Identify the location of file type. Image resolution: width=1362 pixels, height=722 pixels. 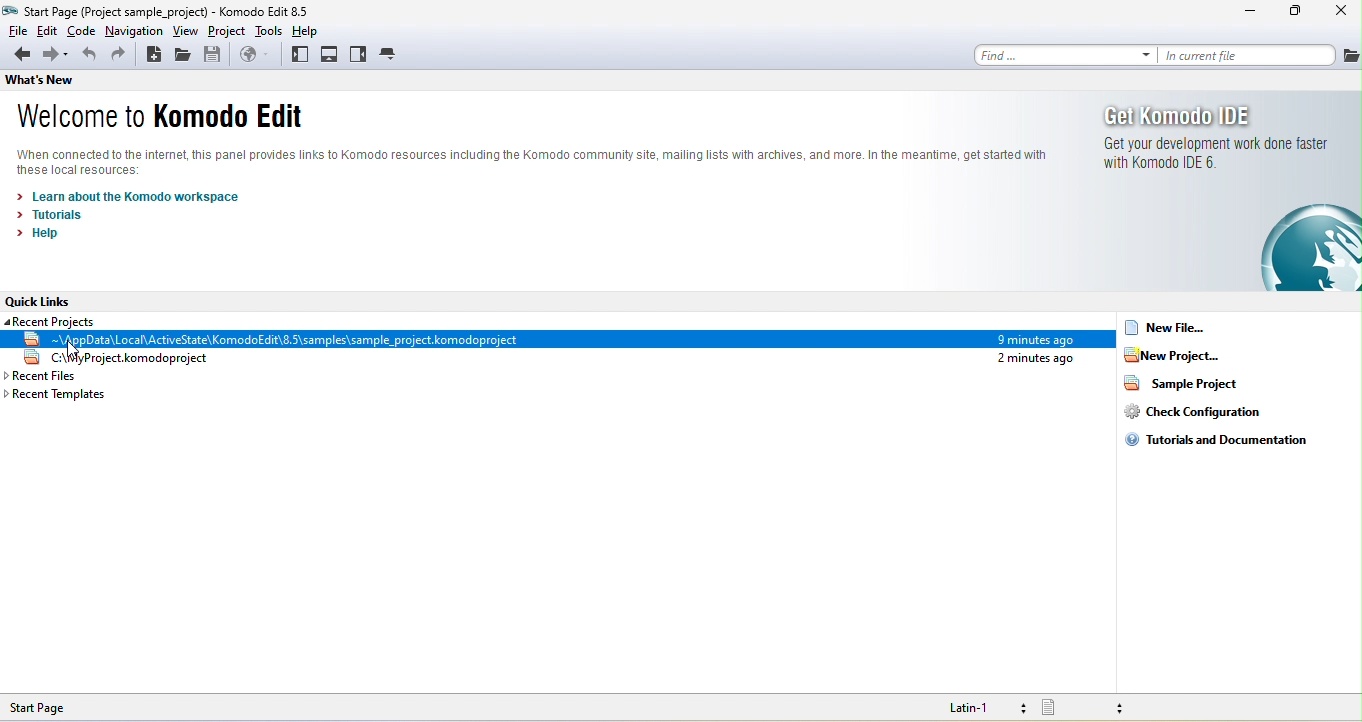
(1080, 708).